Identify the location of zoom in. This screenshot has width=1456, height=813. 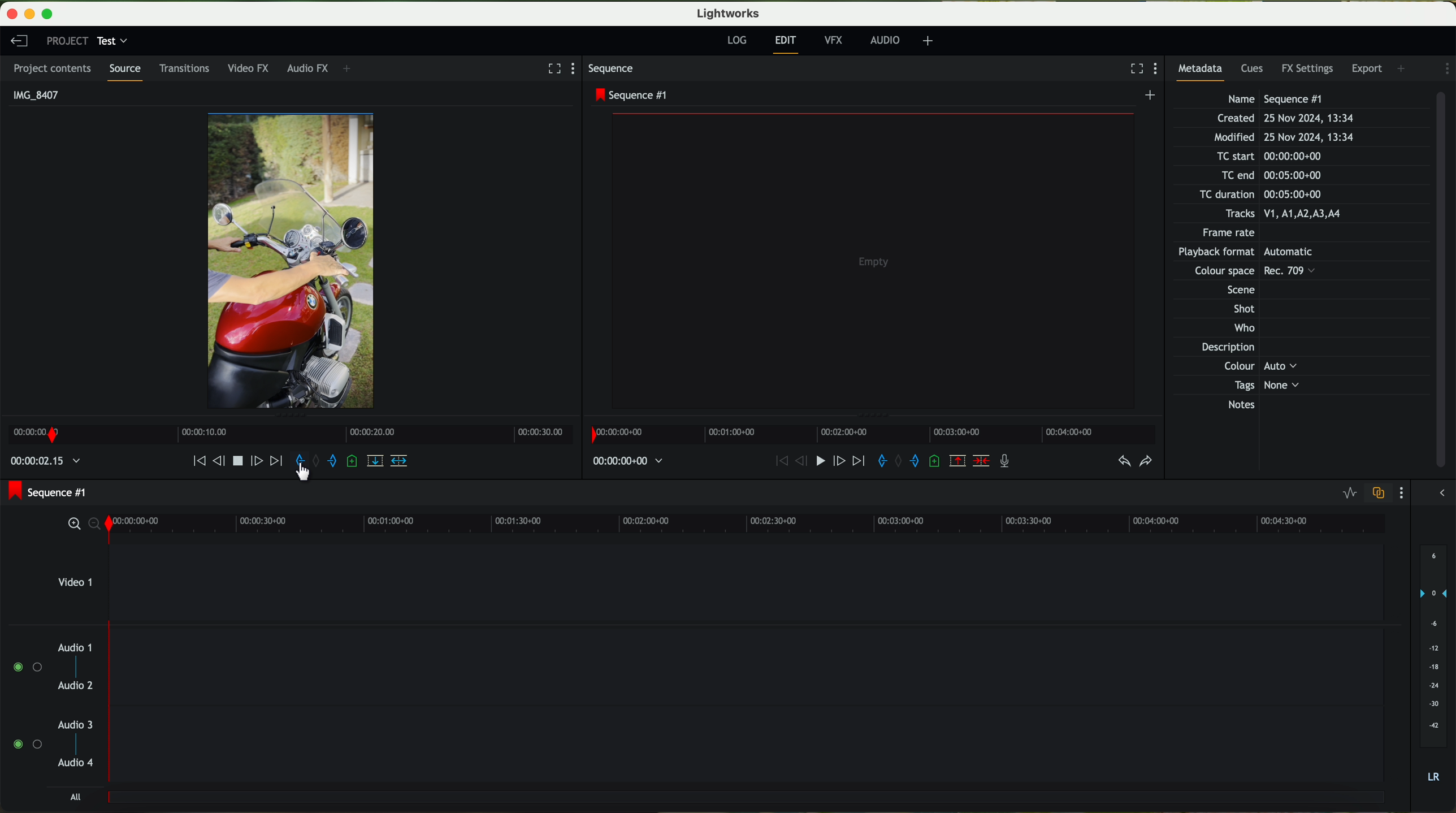
(69, 525).